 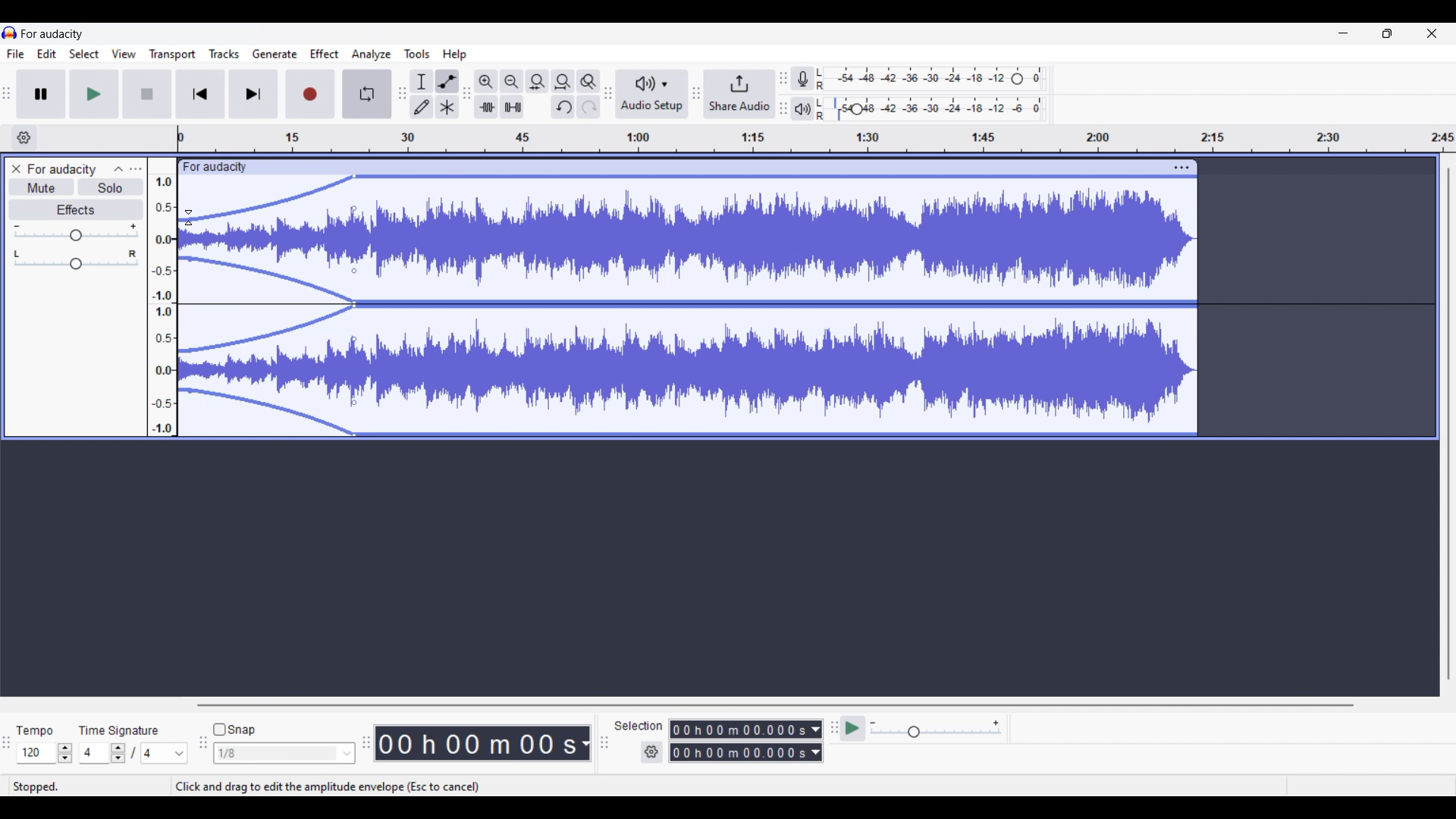 What do you see at coordinates (367, 94) in the screenshot?
I see `Enable looping` at bounding box center [367, 94].